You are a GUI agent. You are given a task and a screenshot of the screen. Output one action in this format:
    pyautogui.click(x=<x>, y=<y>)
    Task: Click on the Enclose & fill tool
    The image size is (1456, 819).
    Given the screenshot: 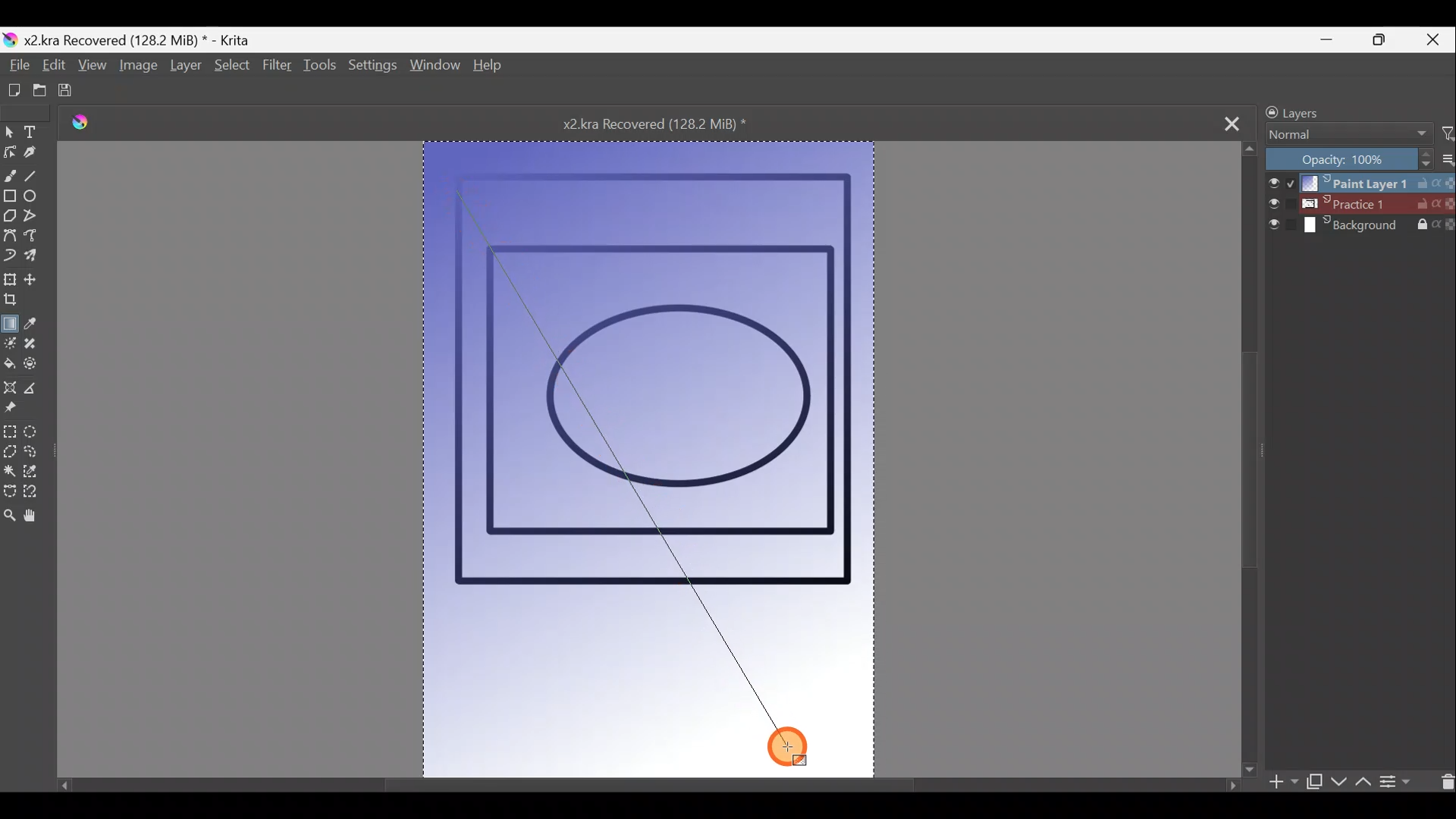 What is the action you would take?
    pyautogui.click(x=39, y=367)
    